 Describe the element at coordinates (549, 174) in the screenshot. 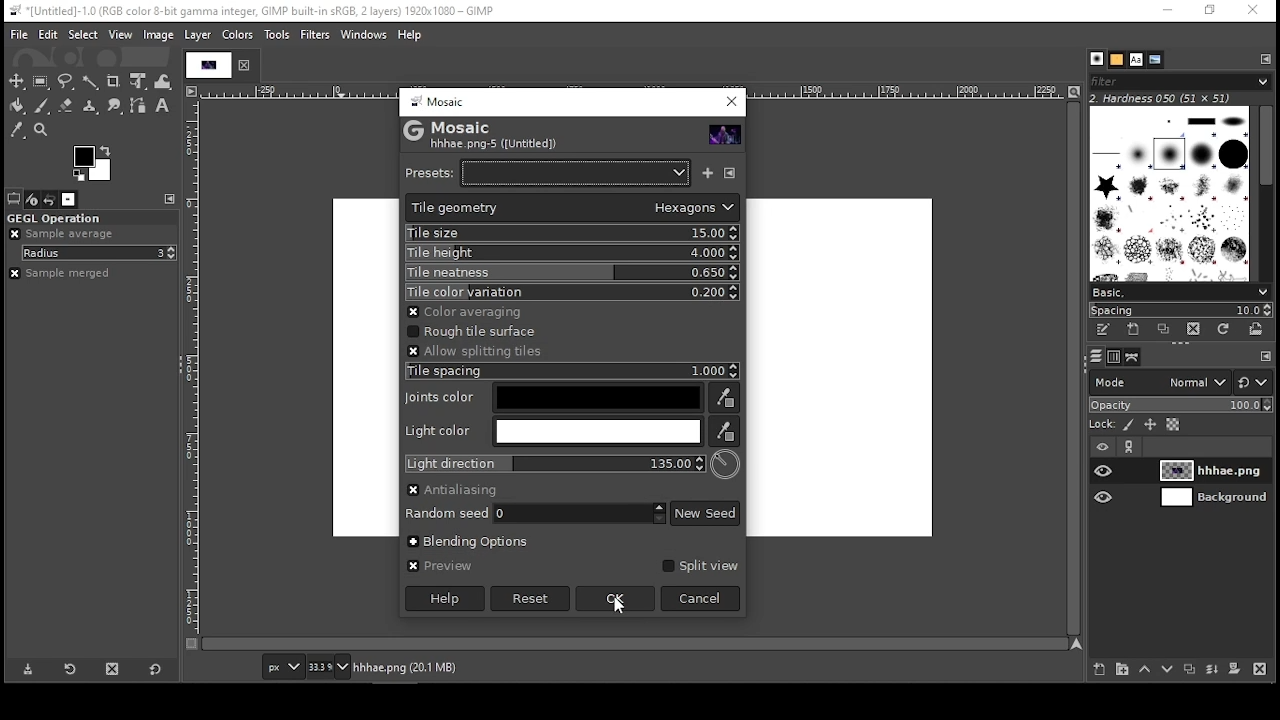

I see `presets` at that location.